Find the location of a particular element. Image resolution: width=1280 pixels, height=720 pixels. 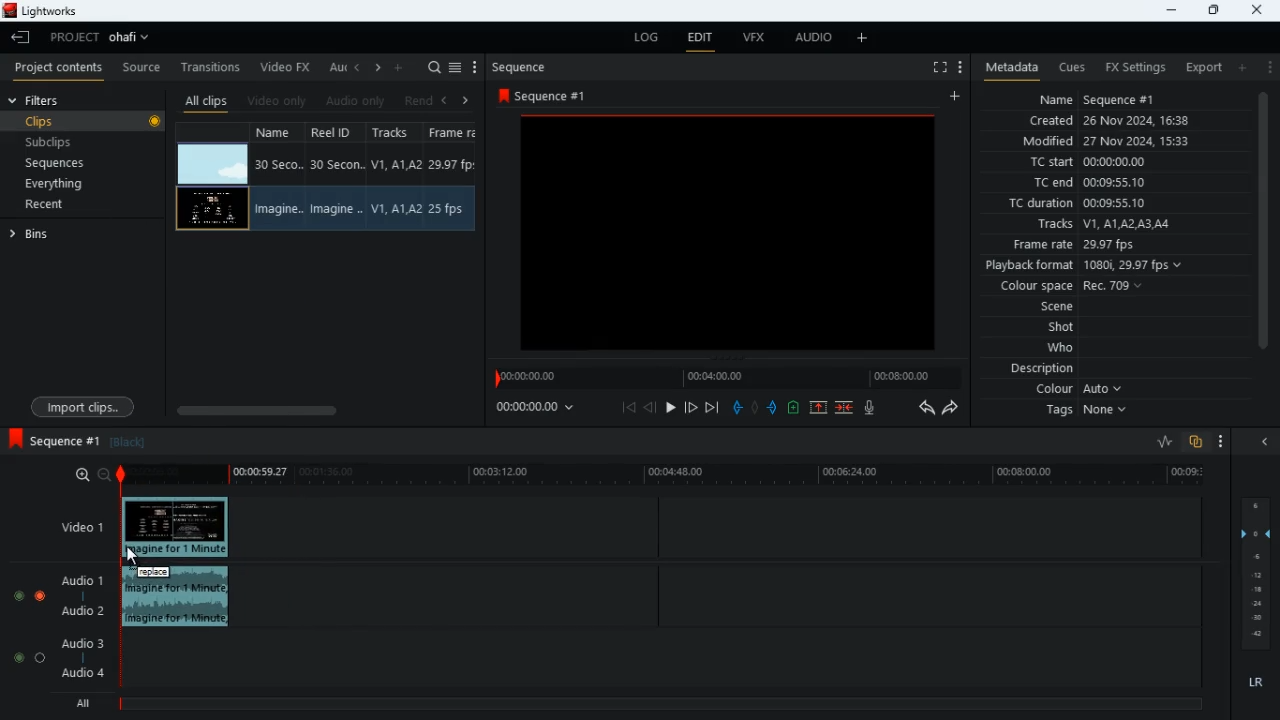

up is located at coordinates (817, 408).